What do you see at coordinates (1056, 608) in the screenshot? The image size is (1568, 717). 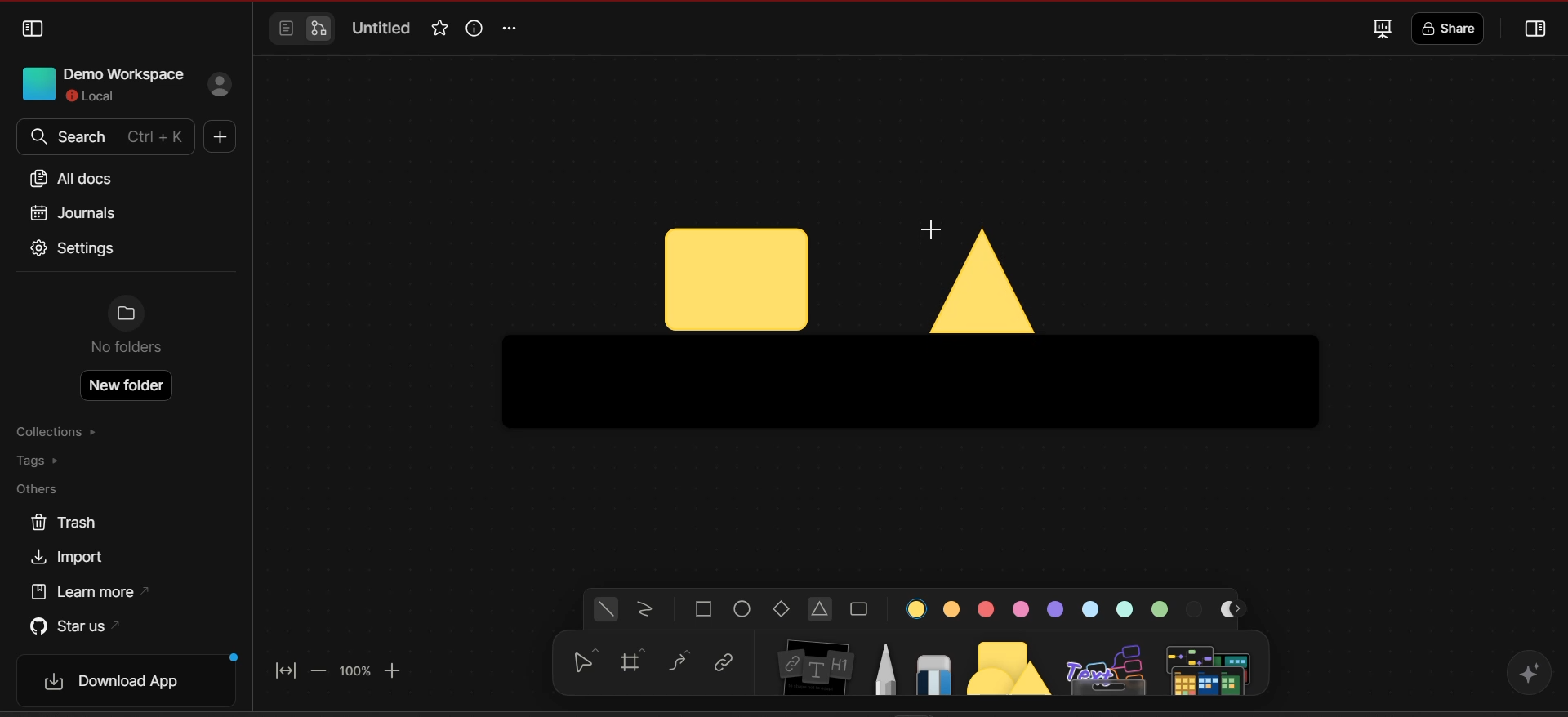 I see `color 5` at bounding box center [1056, 608].